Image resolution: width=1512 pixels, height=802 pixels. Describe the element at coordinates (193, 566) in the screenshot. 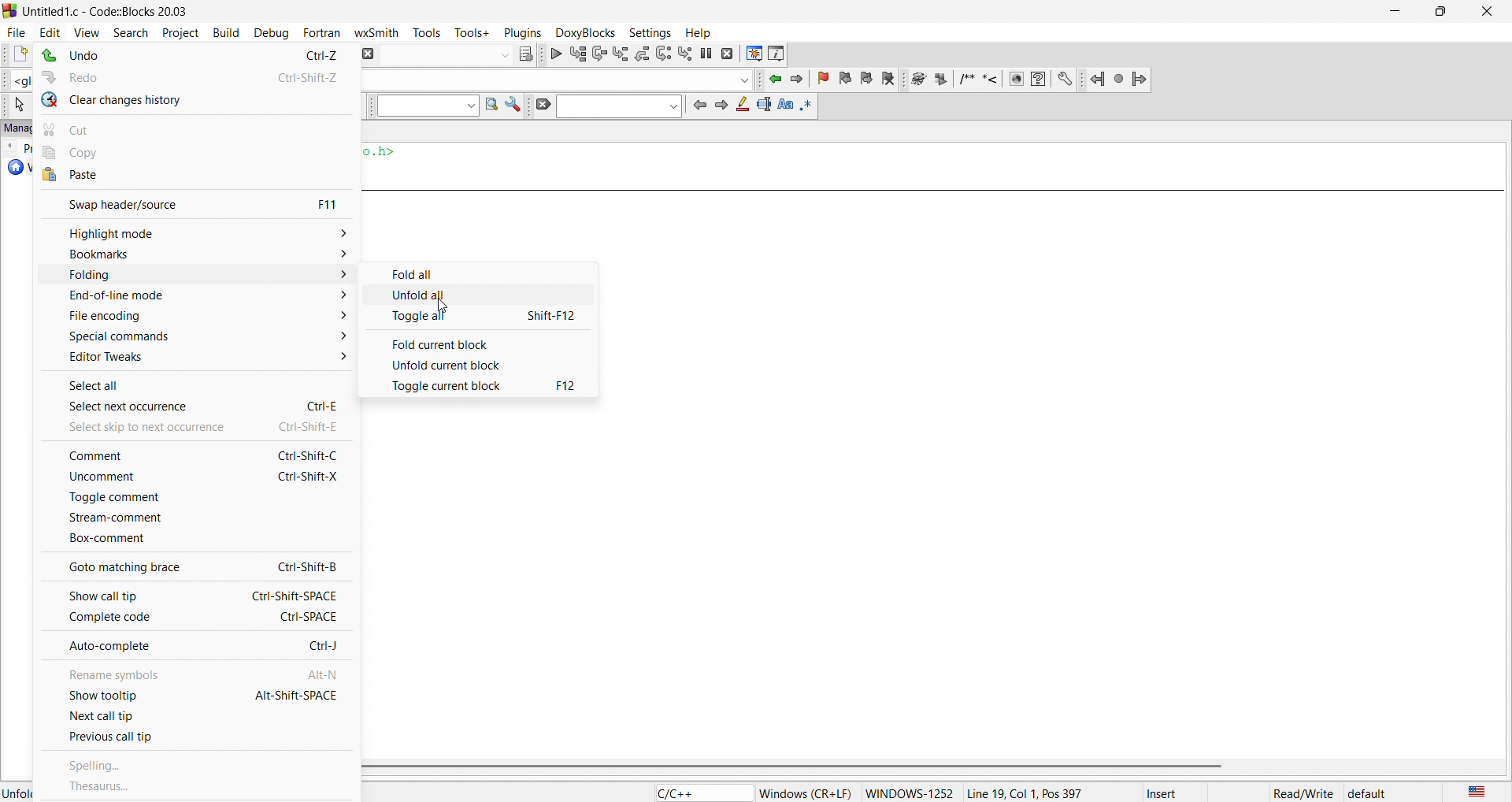

I see `goto matching brace` at that location.